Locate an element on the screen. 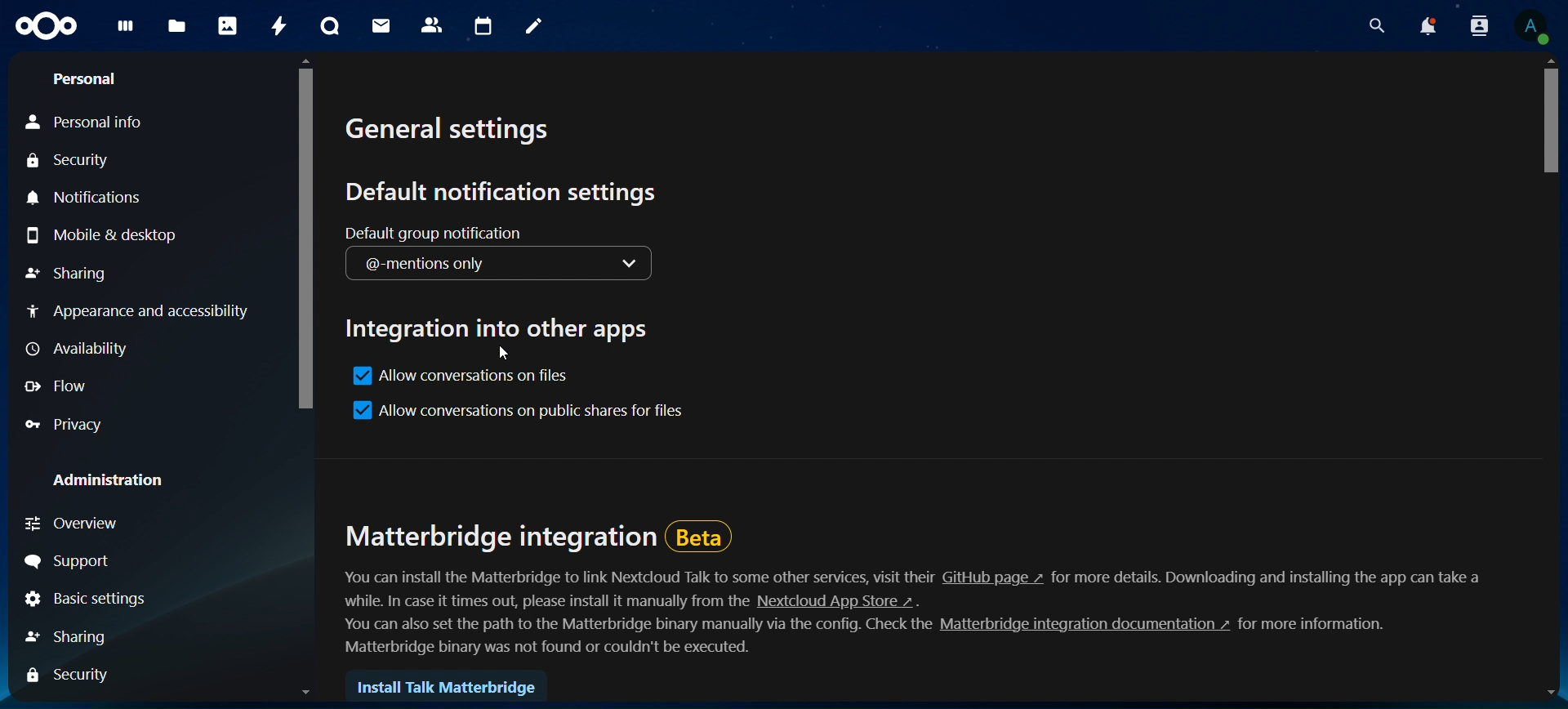 This screenshot has height=709, width=1568. text is located at coordinates (532, 600).